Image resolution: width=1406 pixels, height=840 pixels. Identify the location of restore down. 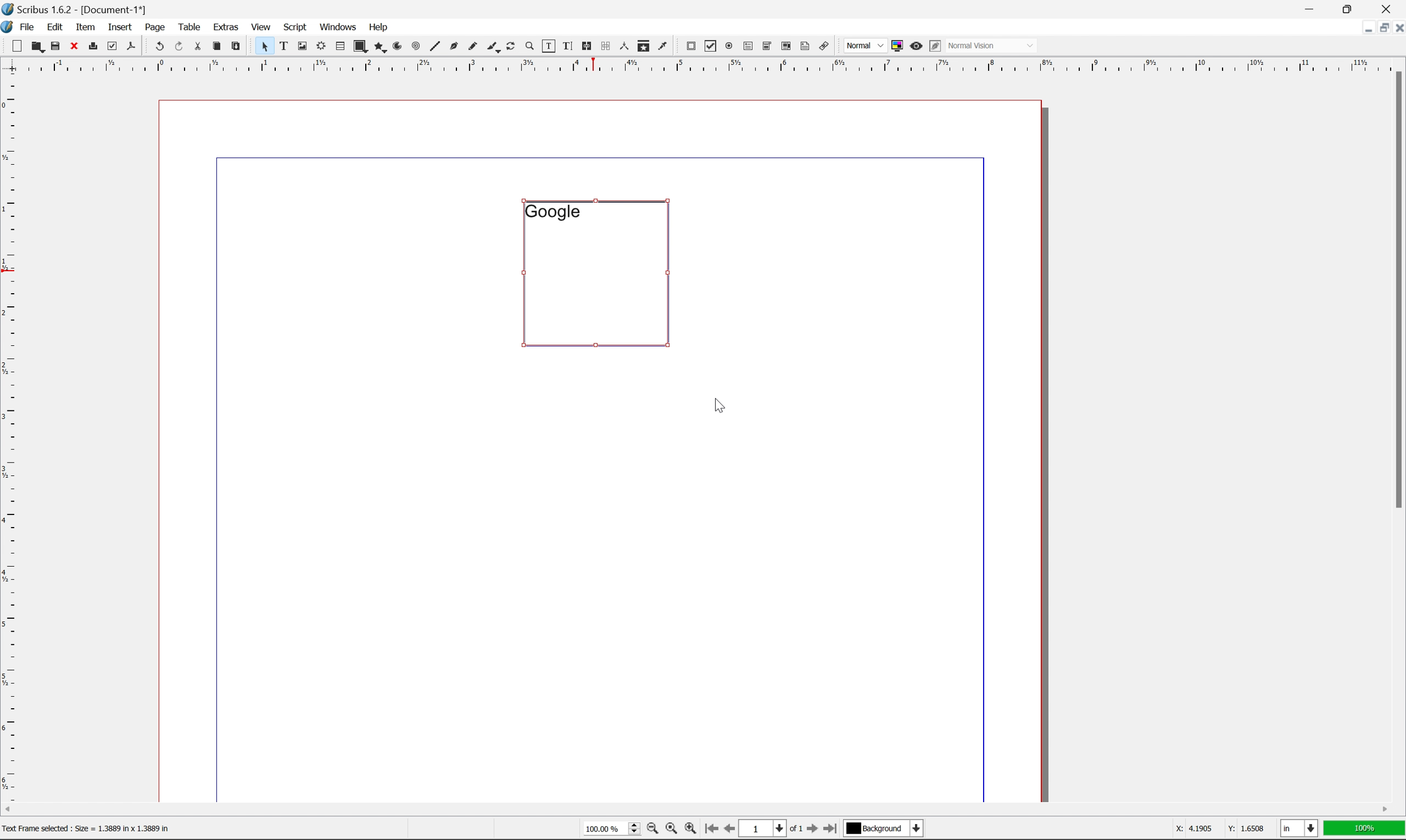
(1379, 28).